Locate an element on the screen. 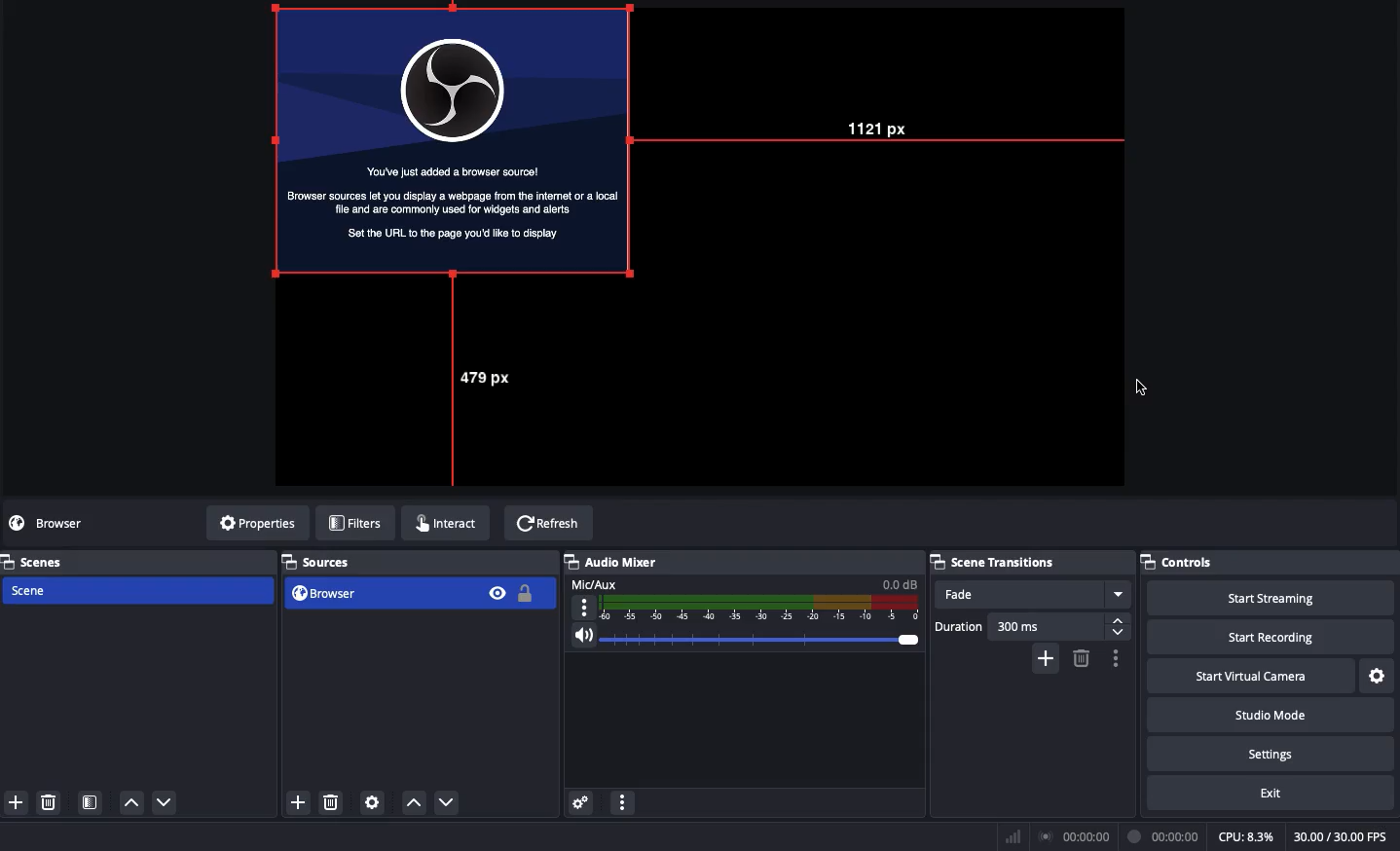 The width and height of the screenshot is (1400, 851). Studio mode is located at coordinates (1269, 713).